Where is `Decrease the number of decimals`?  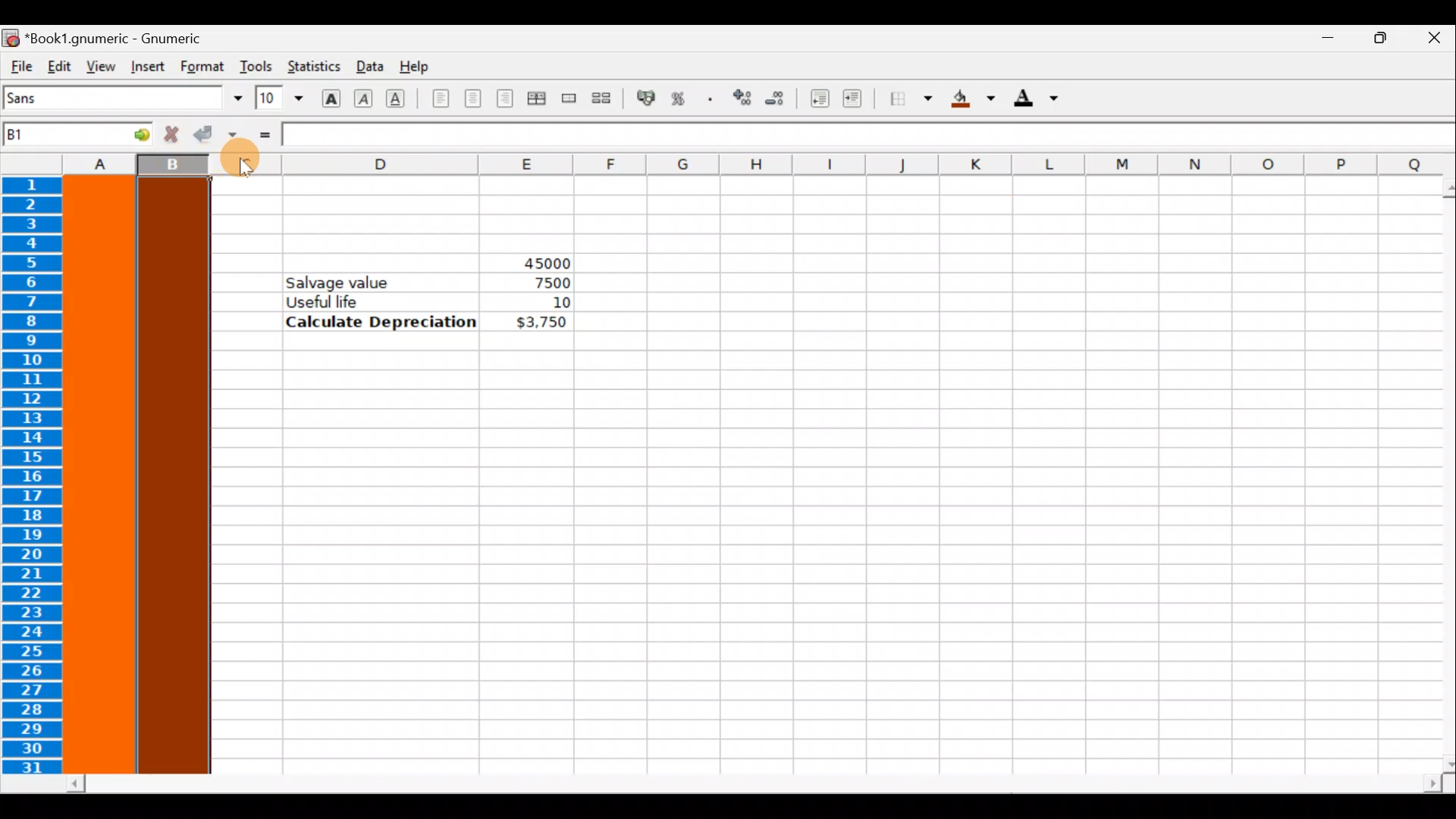 Decrease the number of decimals is located at coordinates (775, 98).